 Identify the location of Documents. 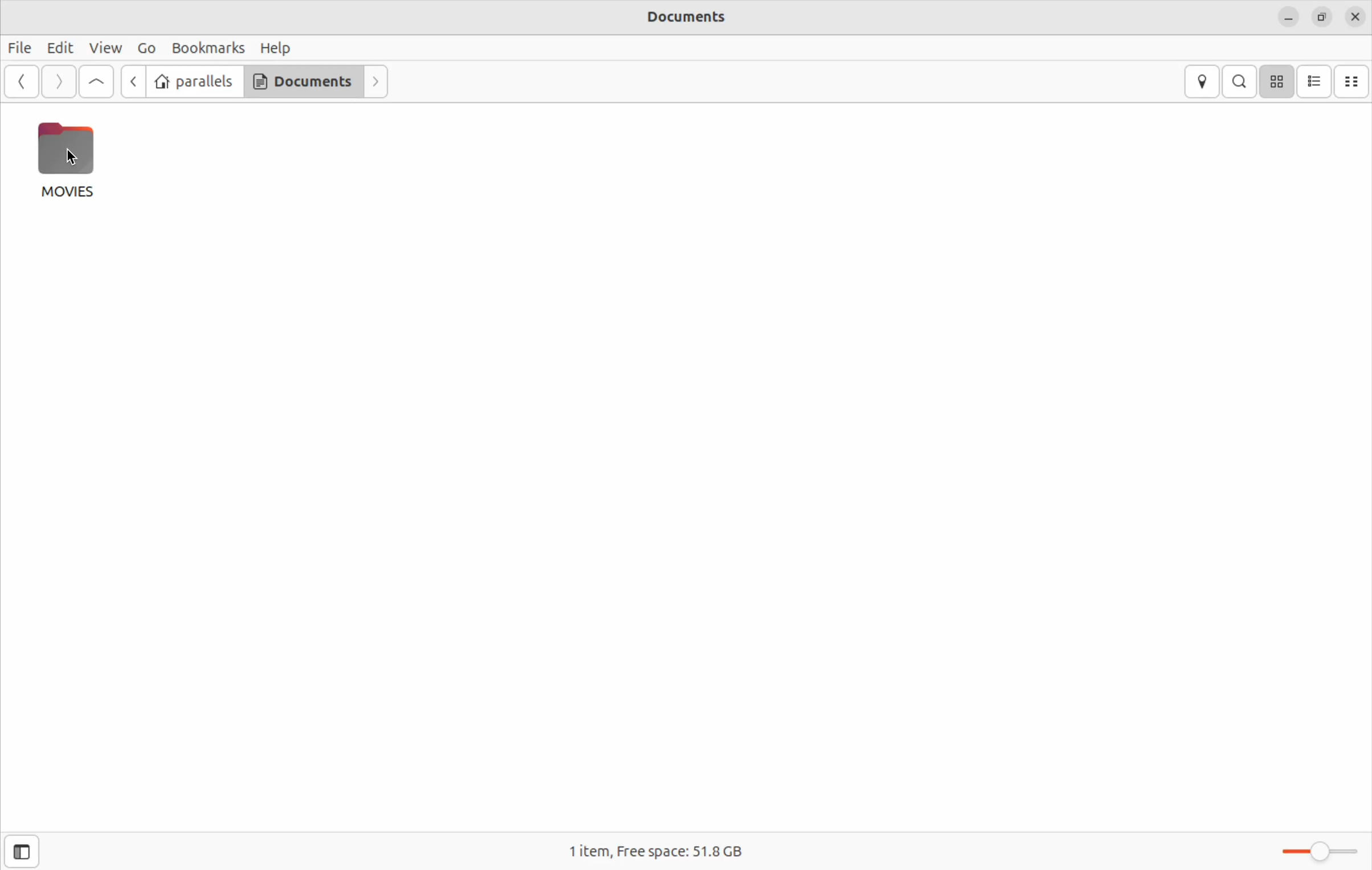
(303, 81).